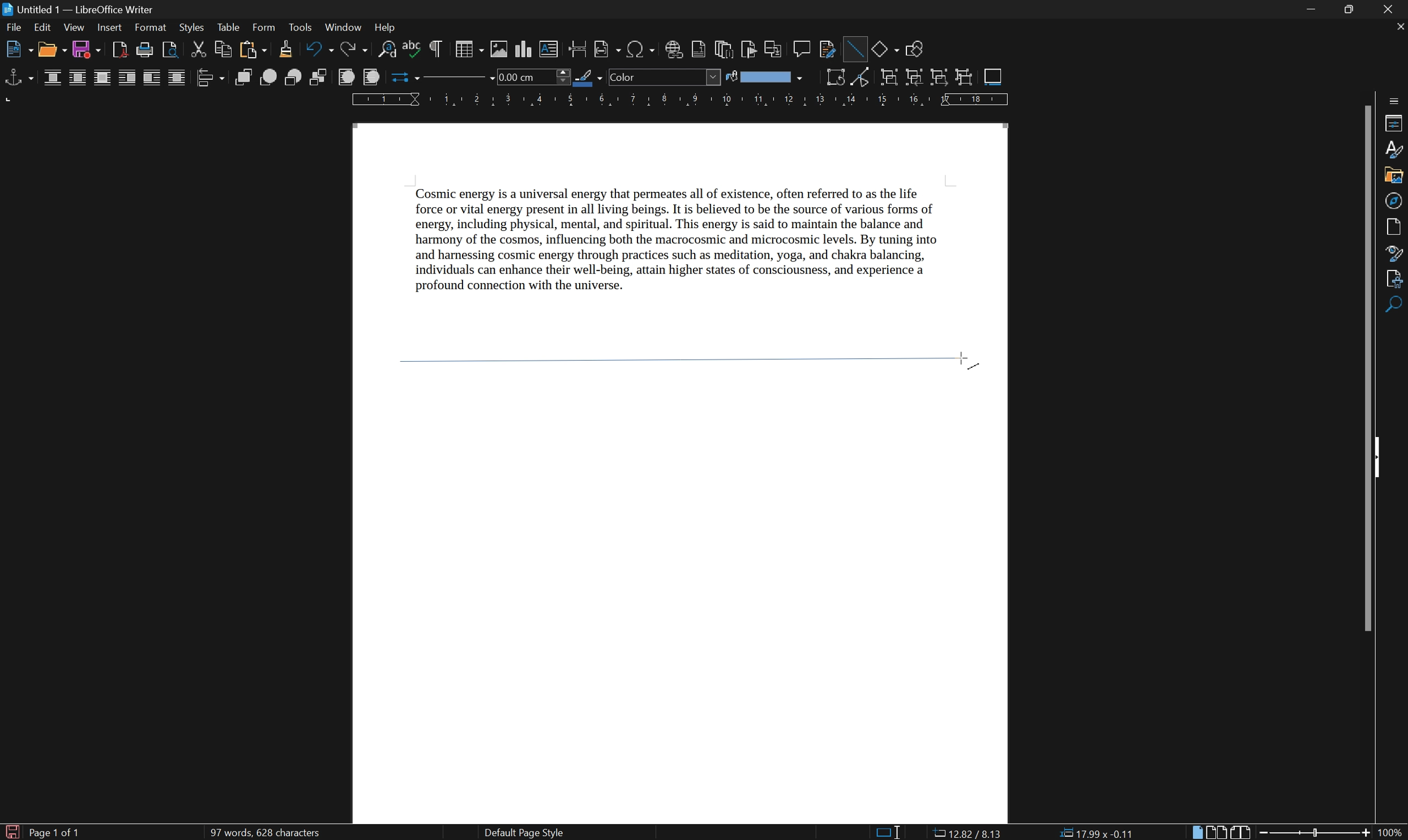 The image size is (1408, 840). Describe the element at coordinates (739, 833) in the screenshot. I see `English (India)` at that location.